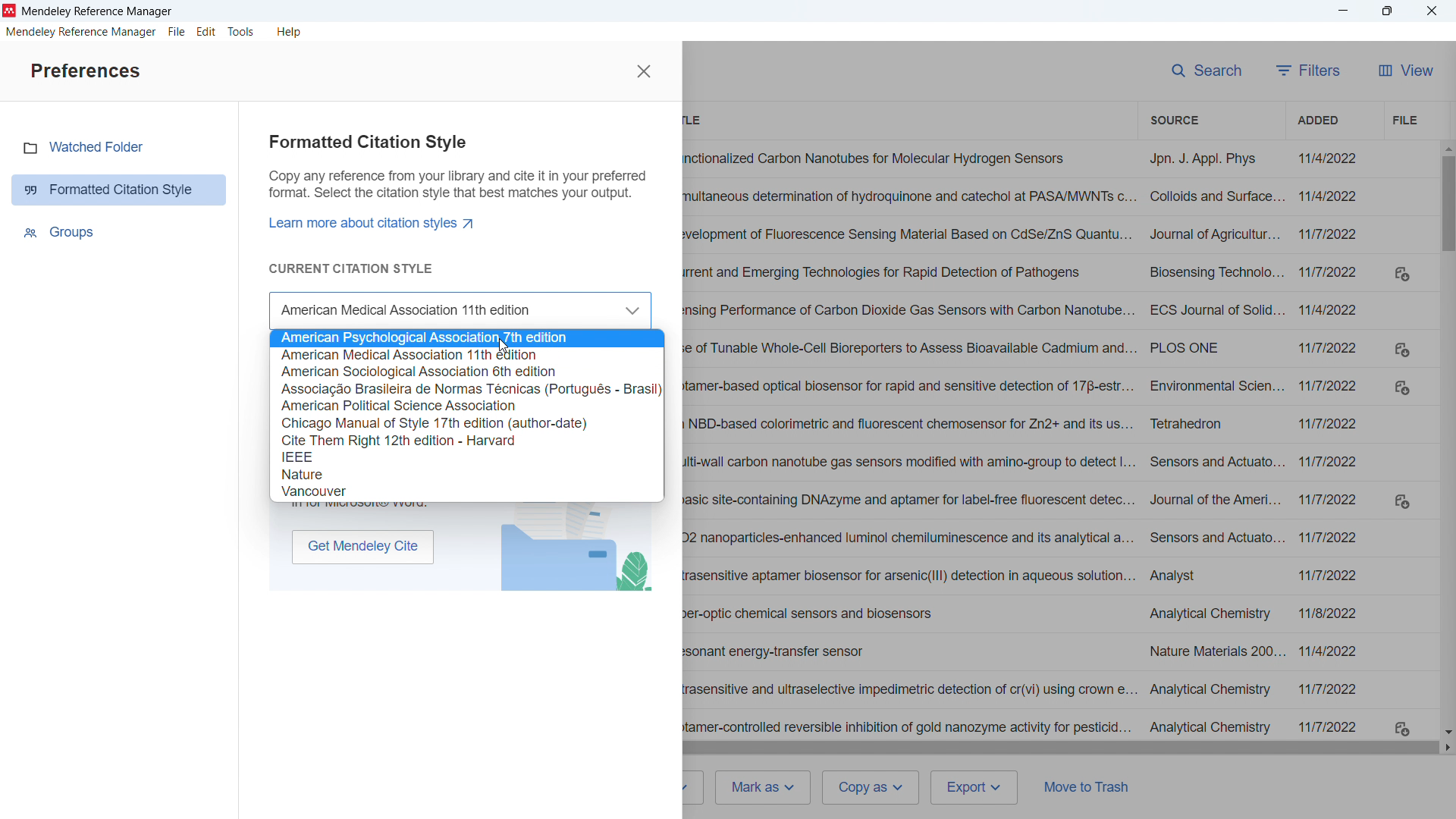 The width and height of the screenshot is (1456, 819). What do you see at coordinates (466, 474) in the screenshot?
I see `nature` at bounding box center [466, 474].